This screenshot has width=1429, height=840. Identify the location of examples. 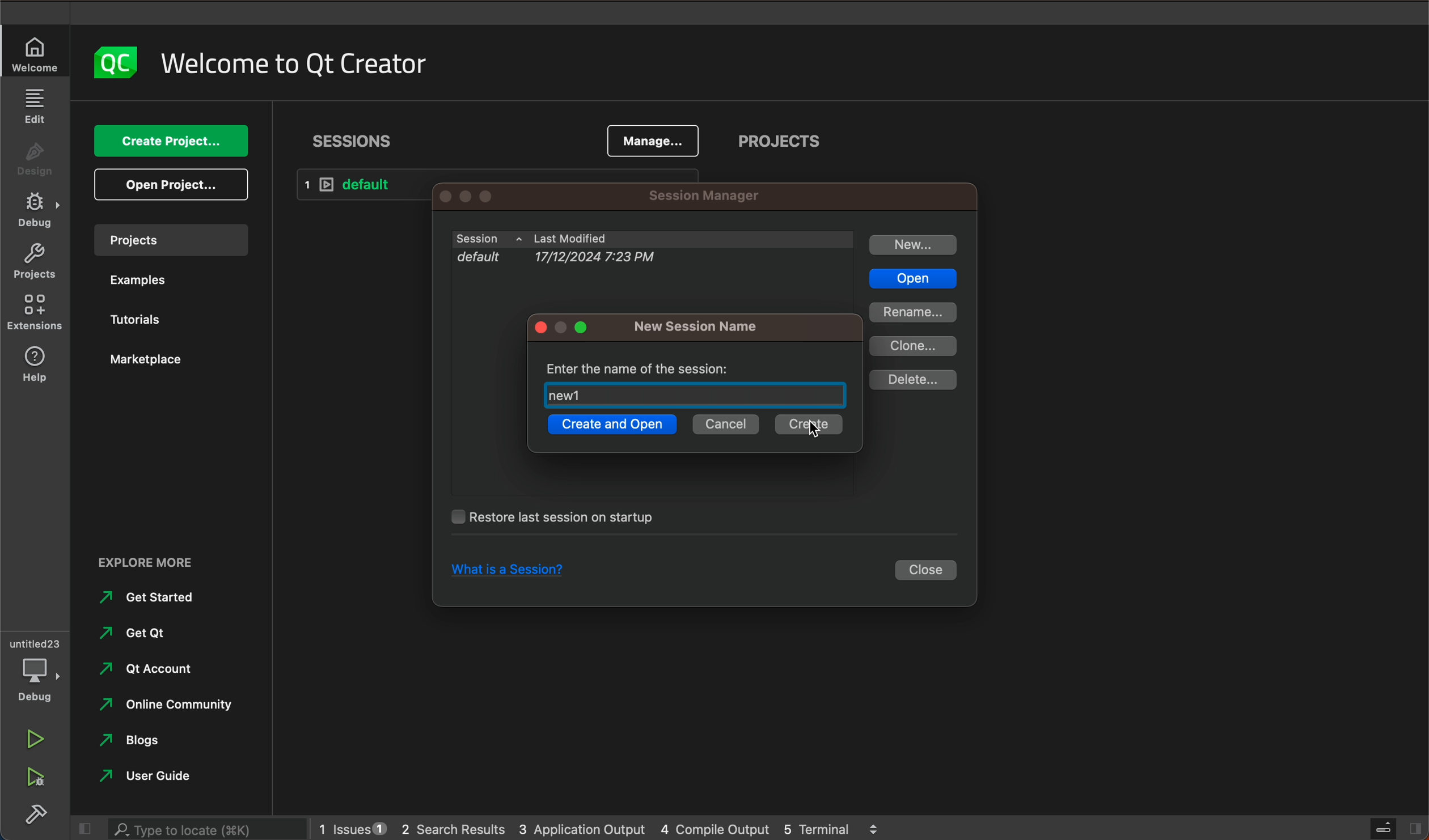
(137, 283).